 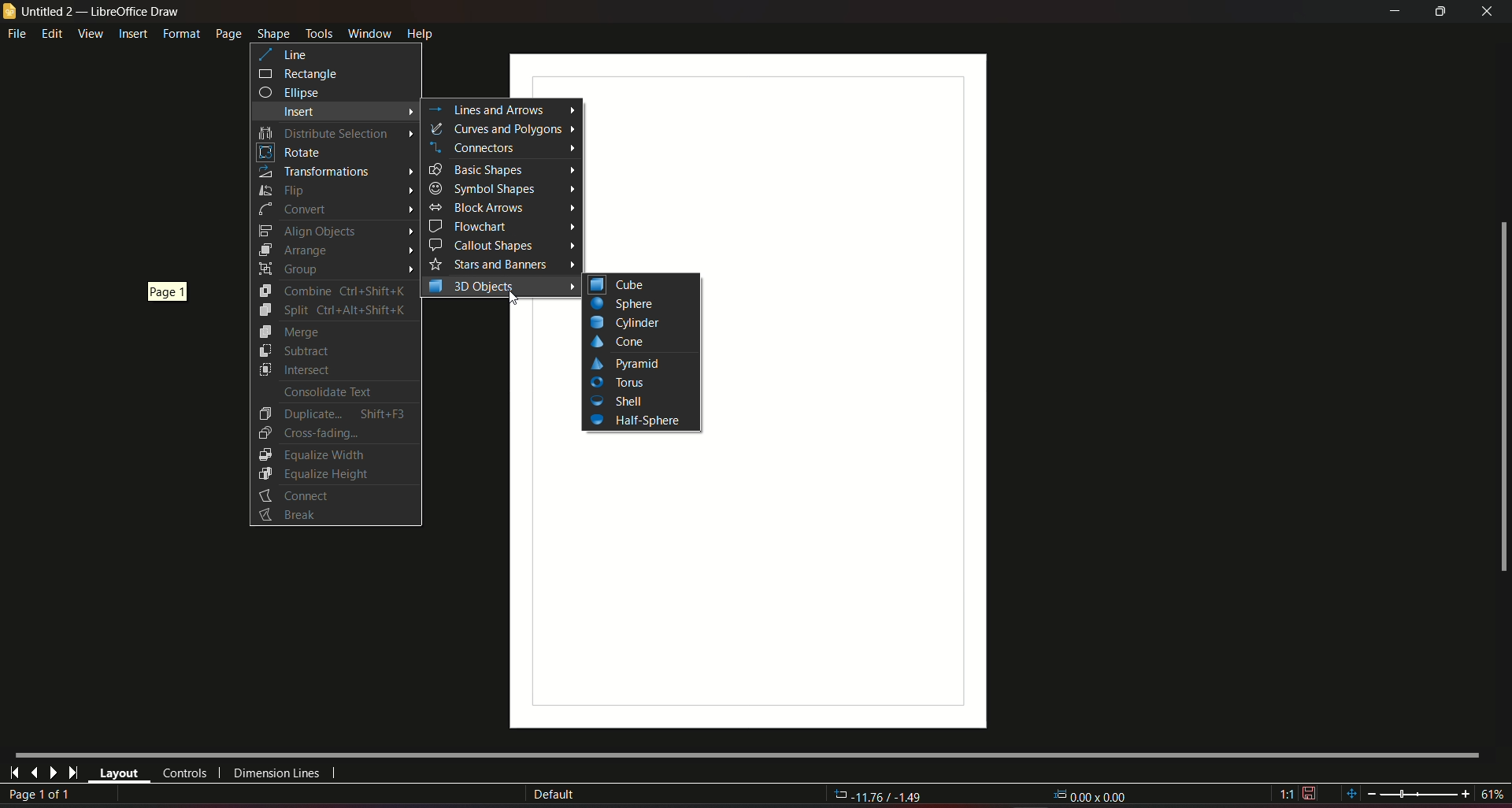 I want to click on ellipse, so click(x=292, y=92).